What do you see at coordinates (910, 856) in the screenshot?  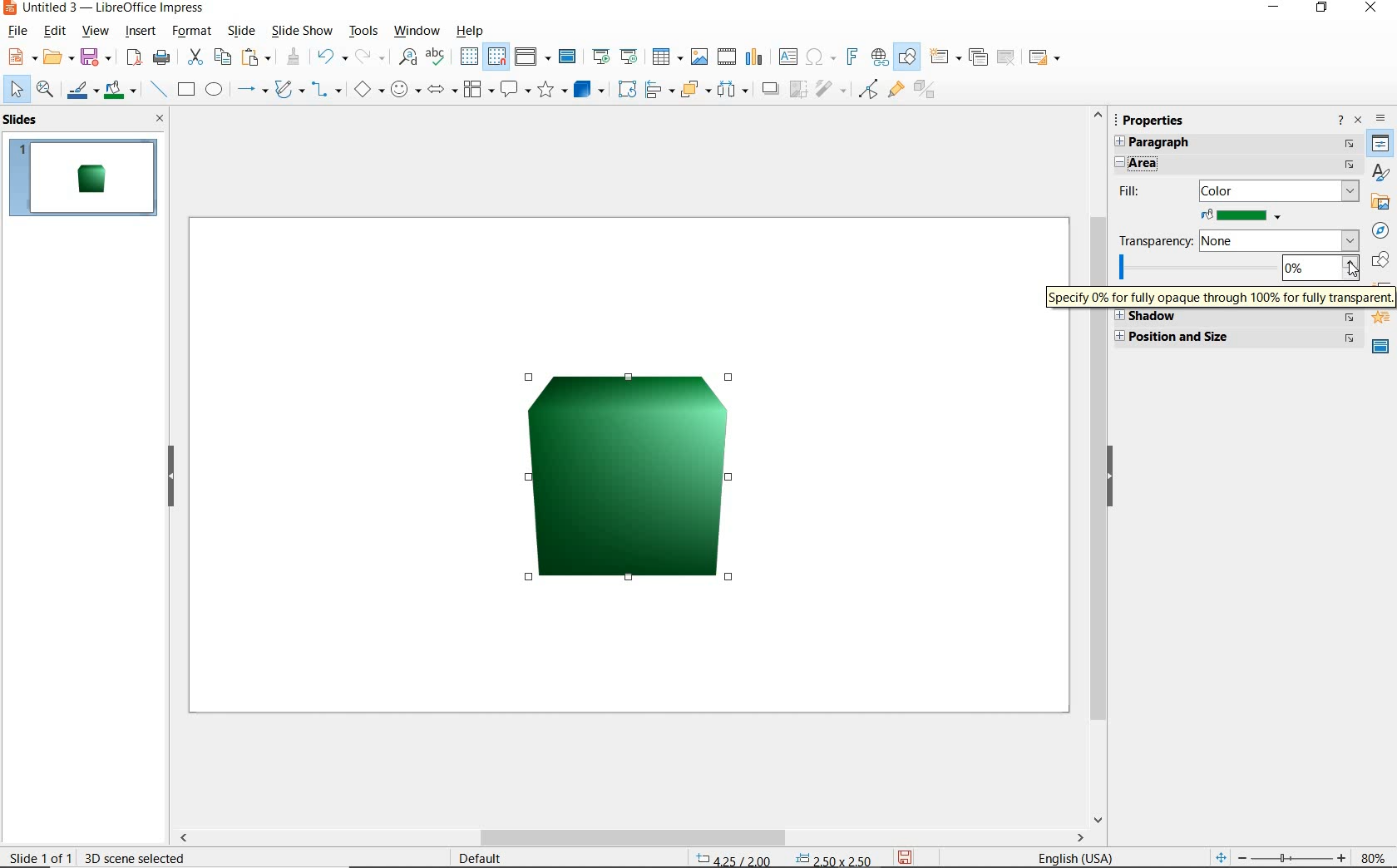 I see `SAVE` at bounding box center [910, 856].